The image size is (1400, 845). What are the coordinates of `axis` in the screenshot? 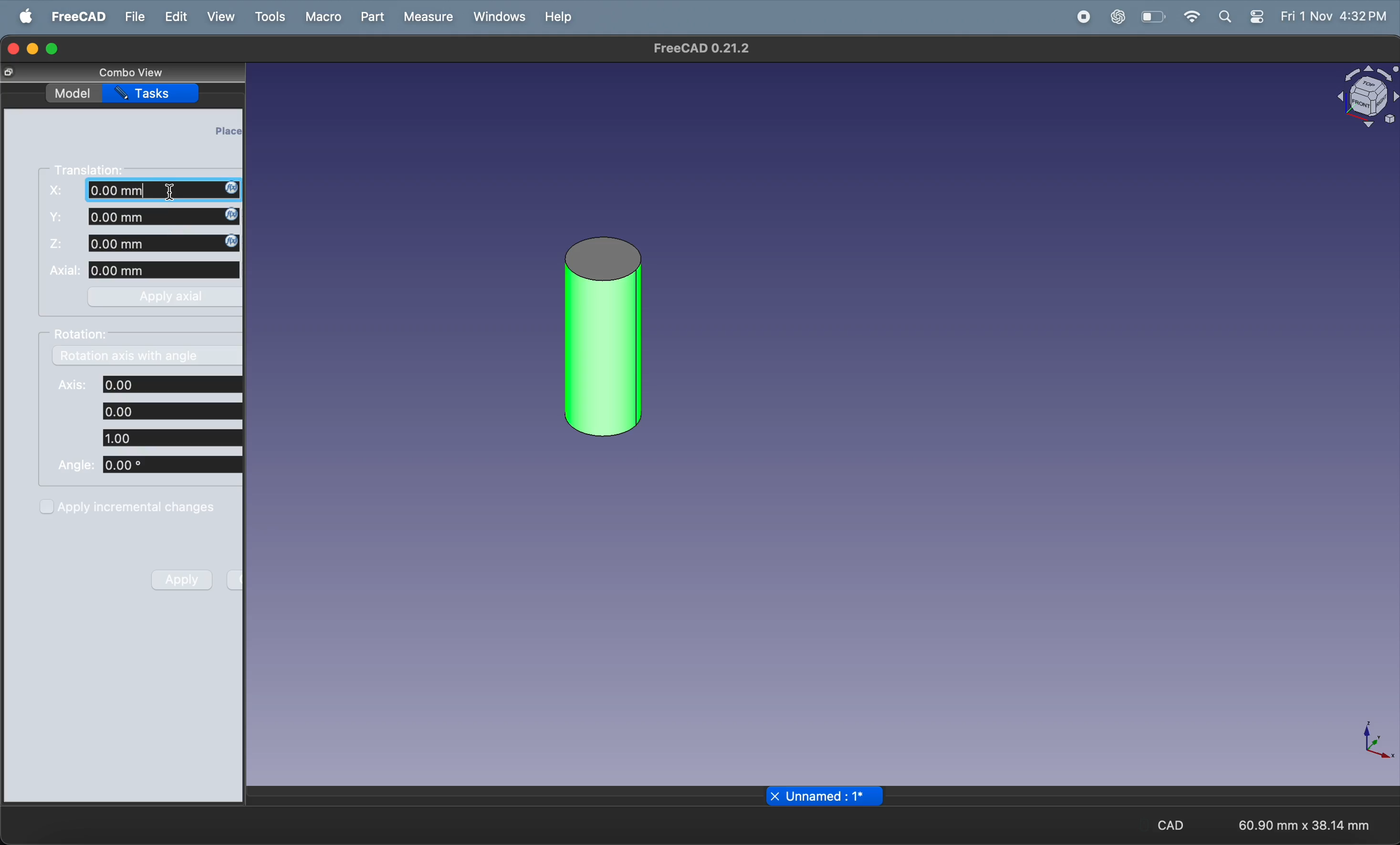 It's located at (1375, 743).